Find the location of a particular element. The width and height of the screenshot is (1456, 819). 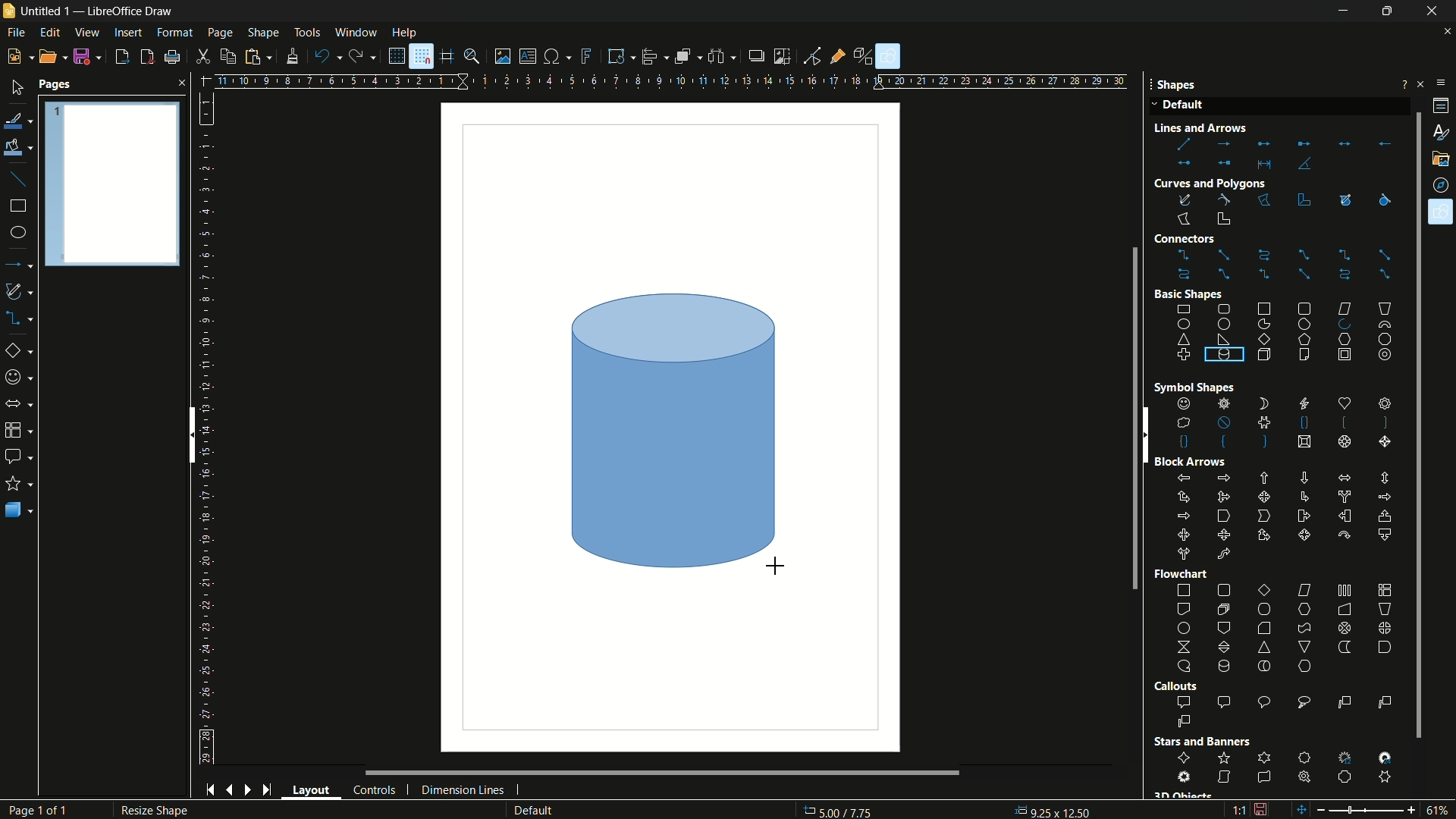

length measuring scale is located at coordinates (210, 428).